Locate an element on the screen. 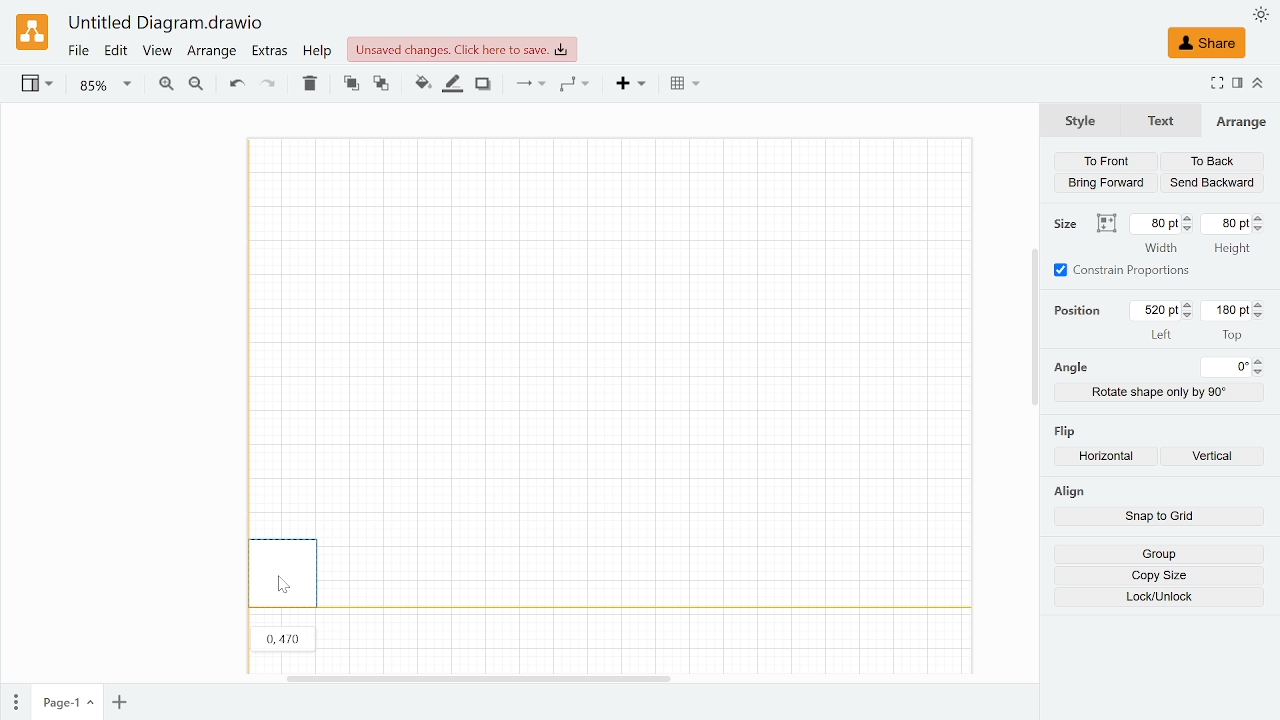 The width and height of the screenshot is (1280, 720). Extras is located at coordinates (271, 52).